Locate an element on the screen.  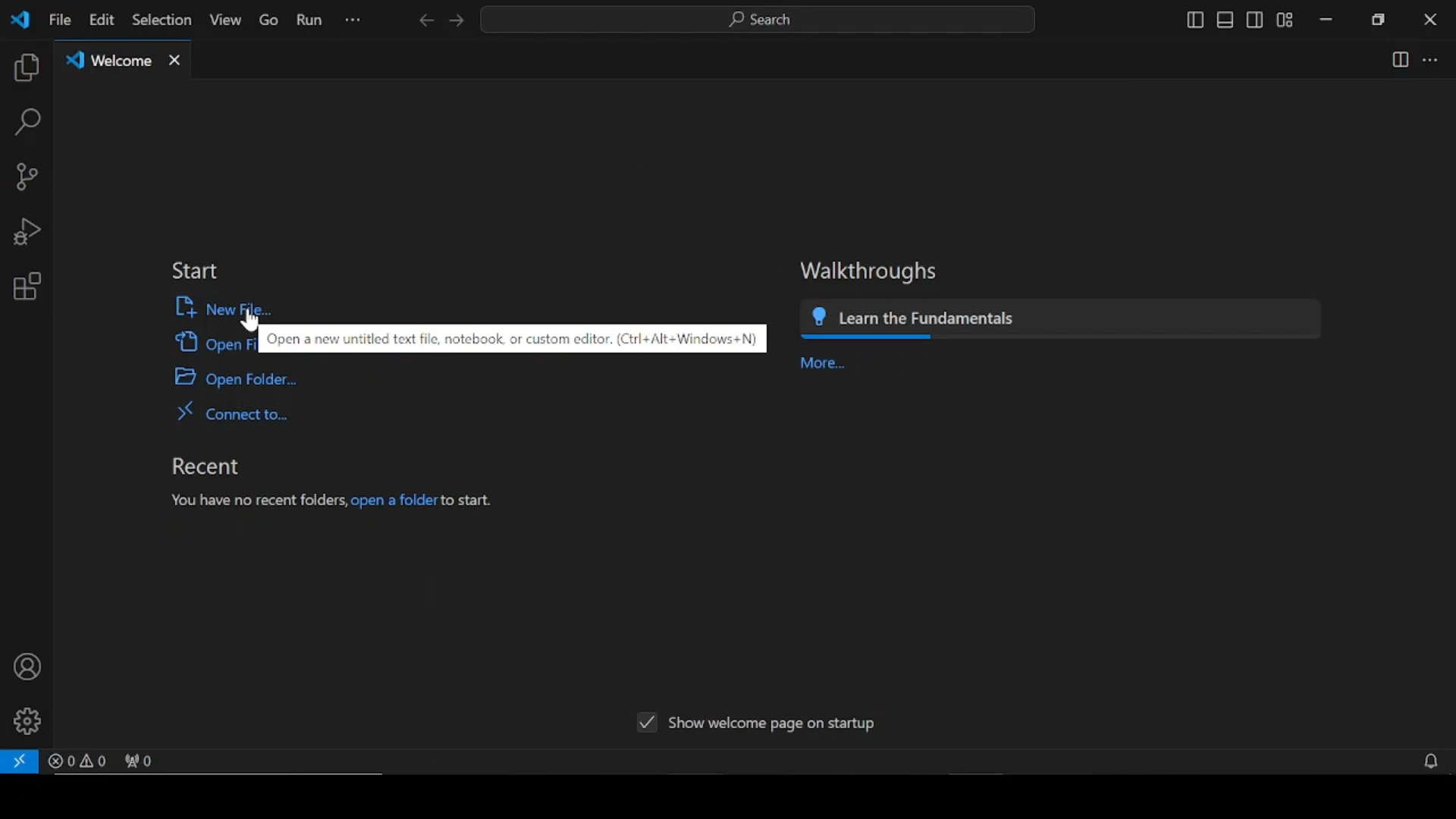
new file is located at coordinates (218, 306).